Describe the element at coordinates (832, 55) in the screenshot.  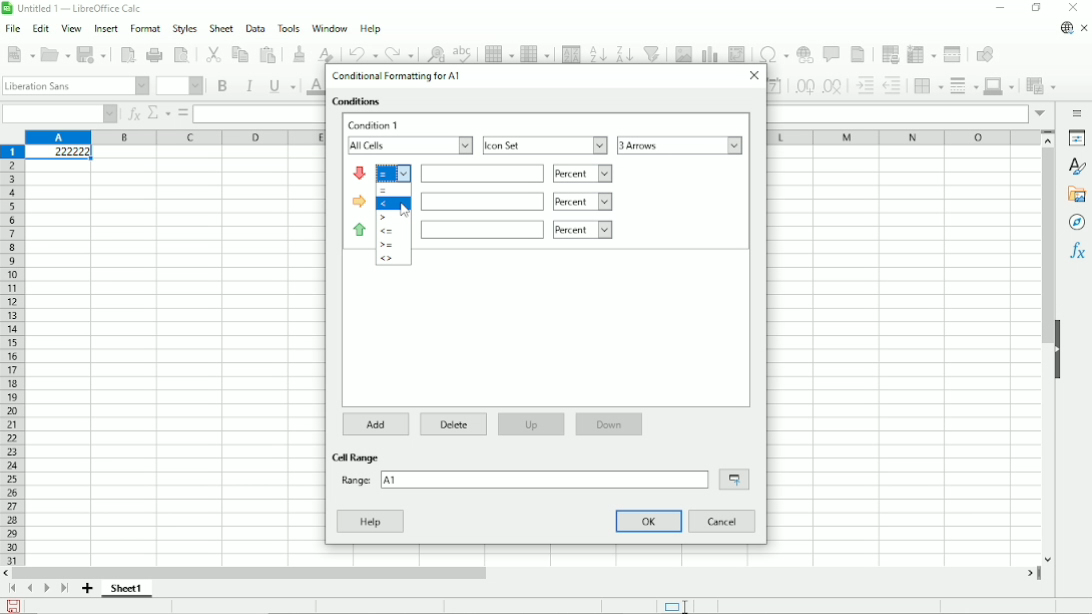
I see `Insert comment` at that location.